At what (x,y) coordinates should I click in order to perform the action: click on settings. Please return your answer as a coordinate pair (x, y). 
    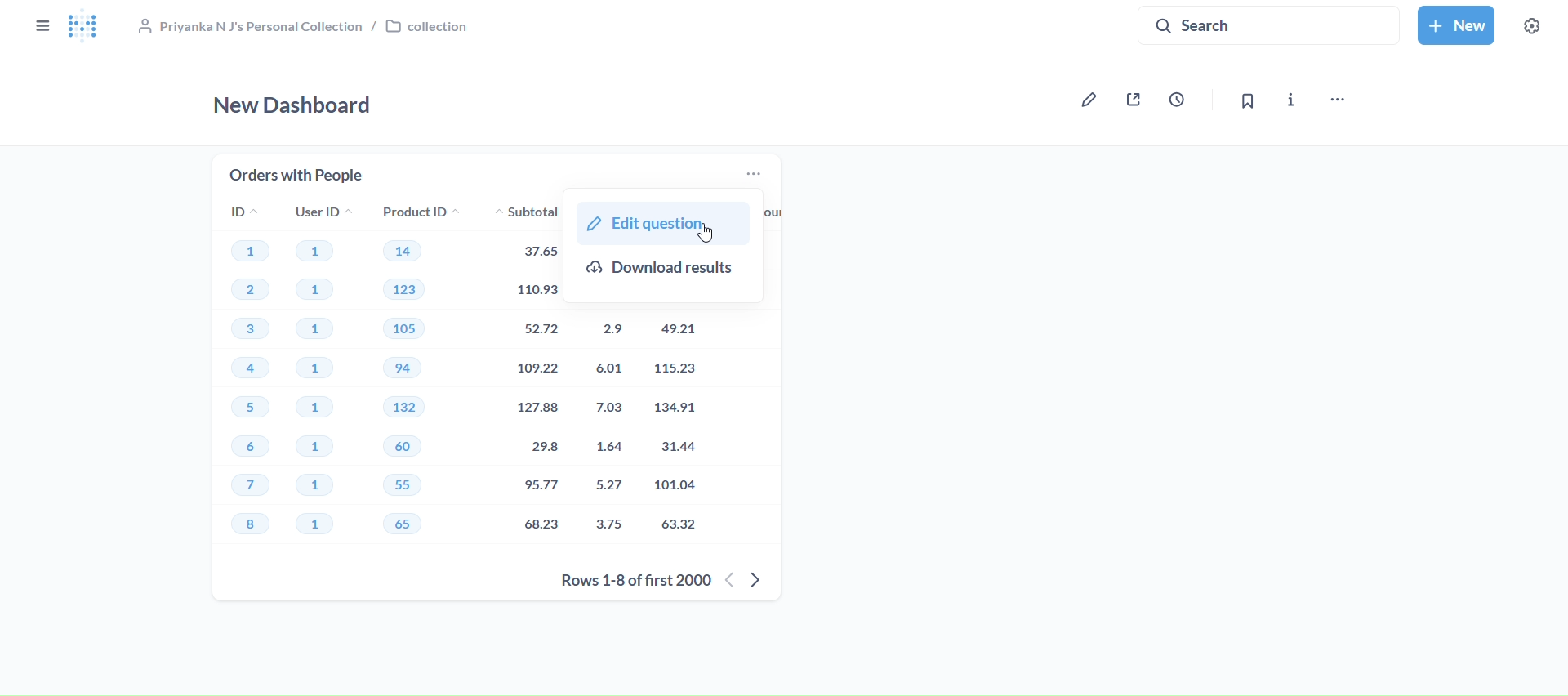
    Looking at the image, I should click on (1534, 27).